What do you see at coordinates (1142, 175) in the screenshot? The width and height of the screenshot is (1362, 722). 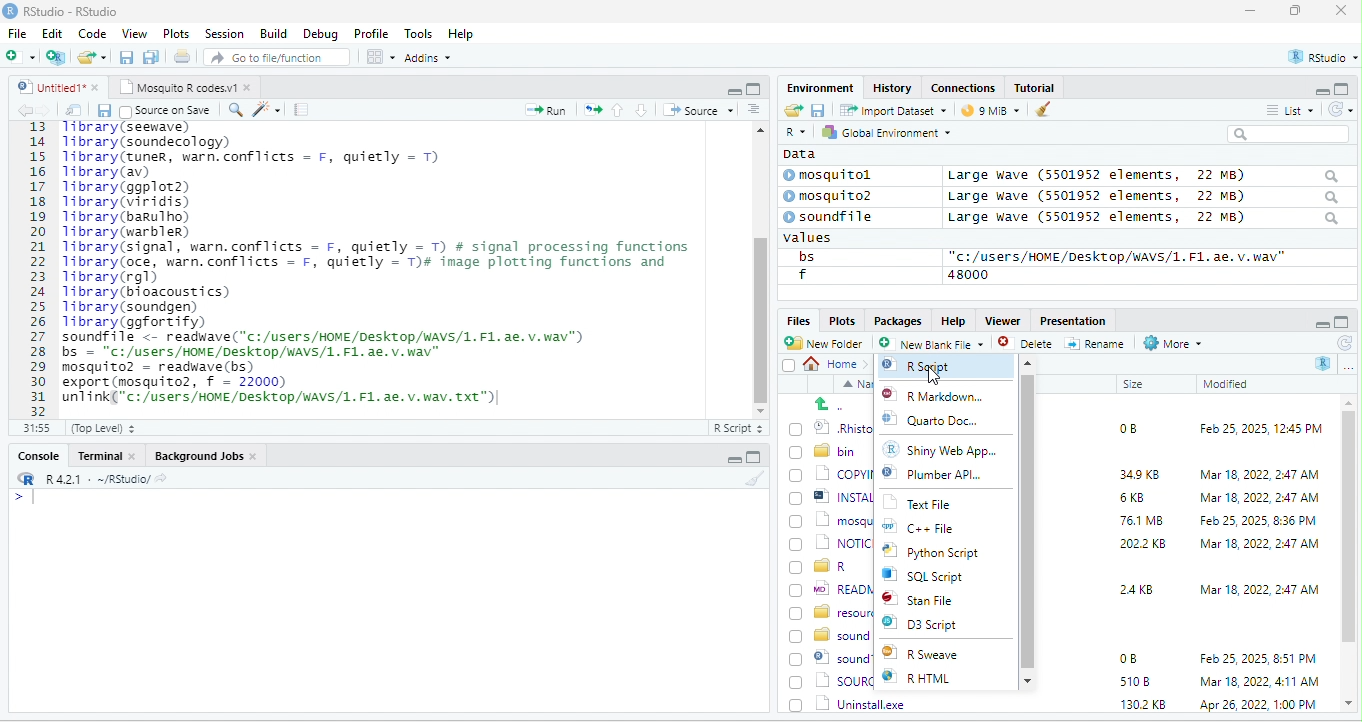 I see `Large wave (5501952 elements, 22 MB)` at bounding box center [1142, 175].